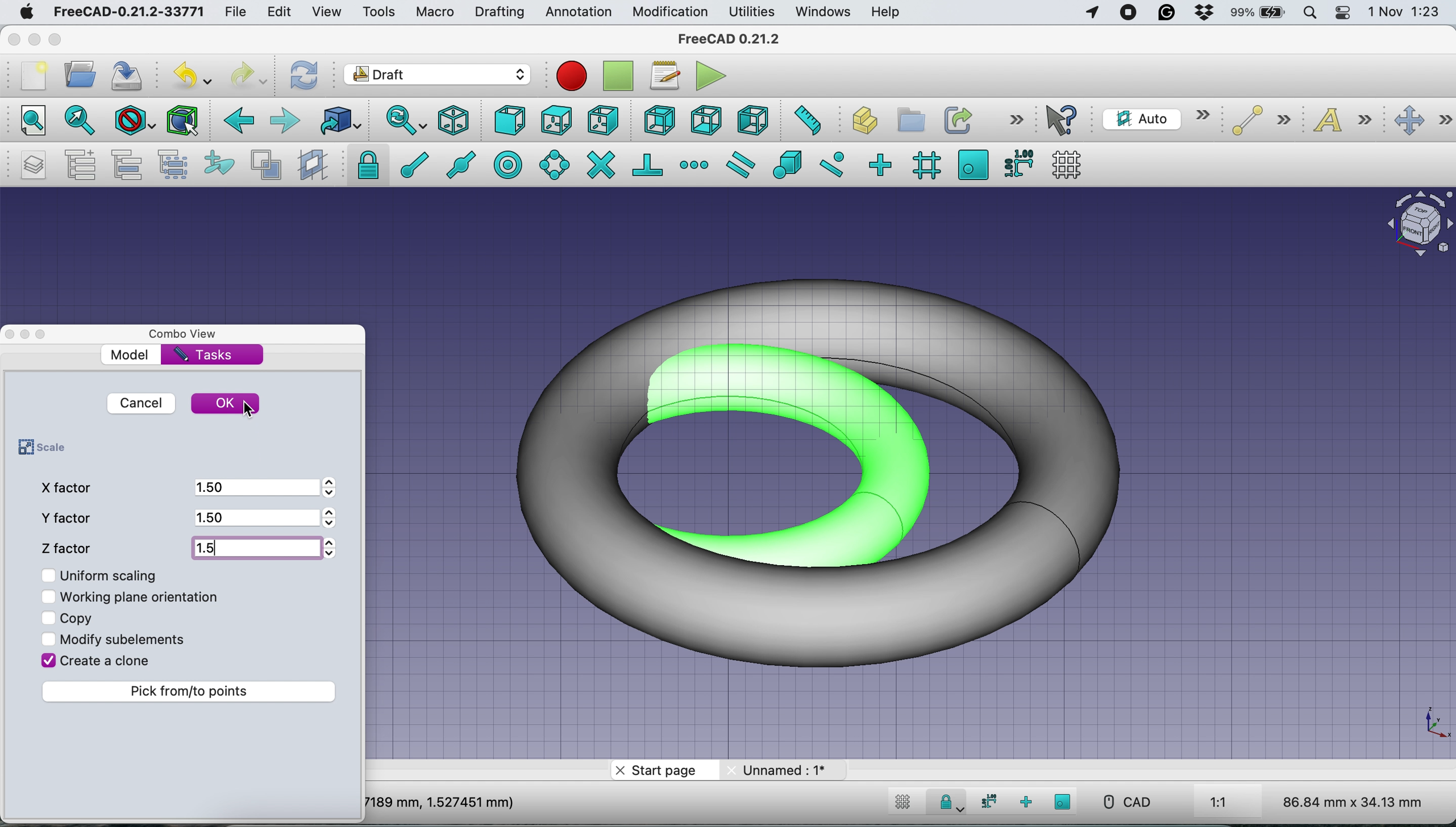  What do you see at coordinates (34, 36) in the screenshot?
I see `minimise` at bounding box center [34, 36].